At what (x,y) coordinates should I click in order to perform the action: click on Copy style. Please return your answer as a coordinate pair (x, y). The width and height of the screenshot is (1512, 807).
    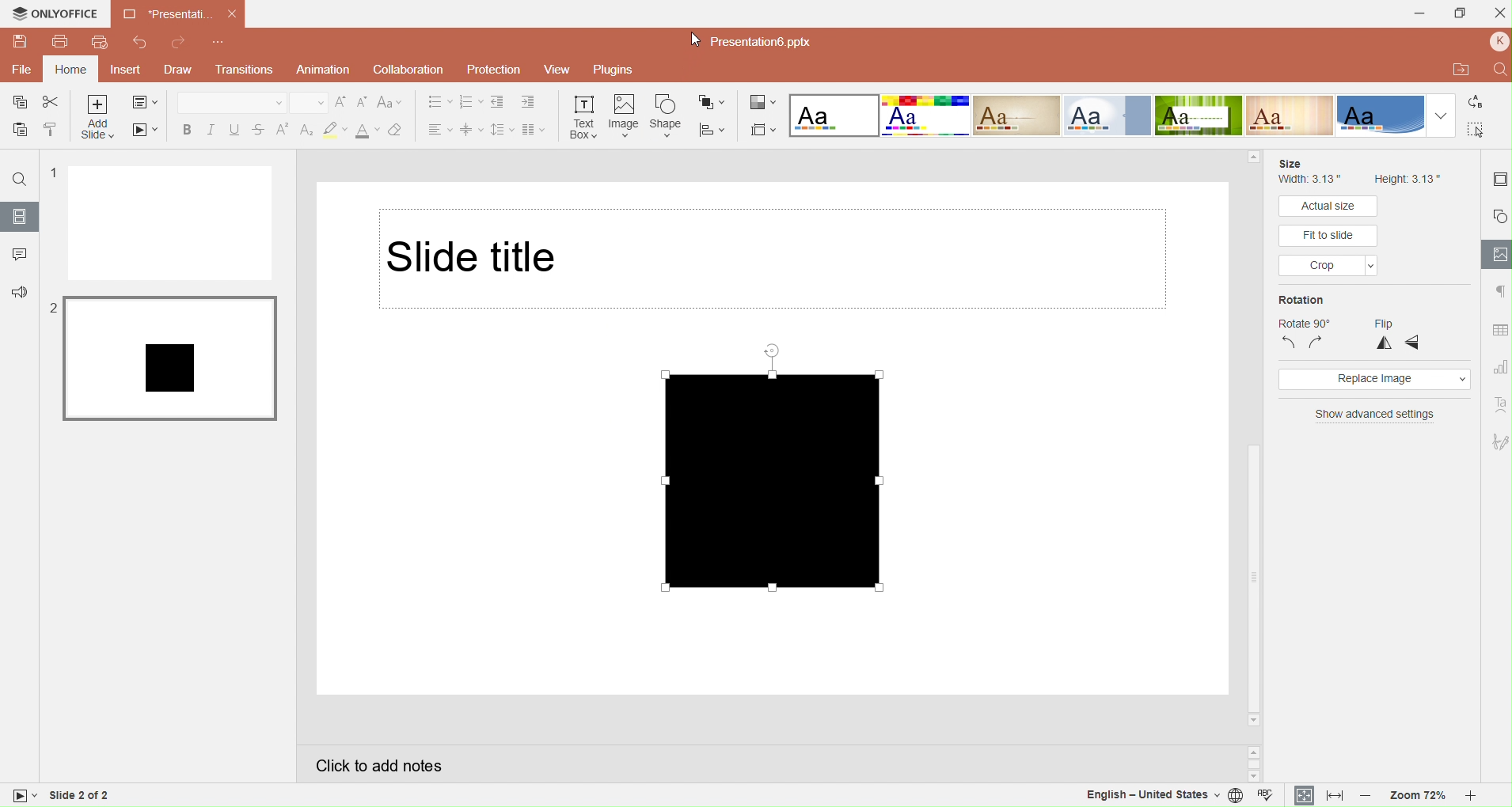
    Looking at the image, I should click on (53, 130).